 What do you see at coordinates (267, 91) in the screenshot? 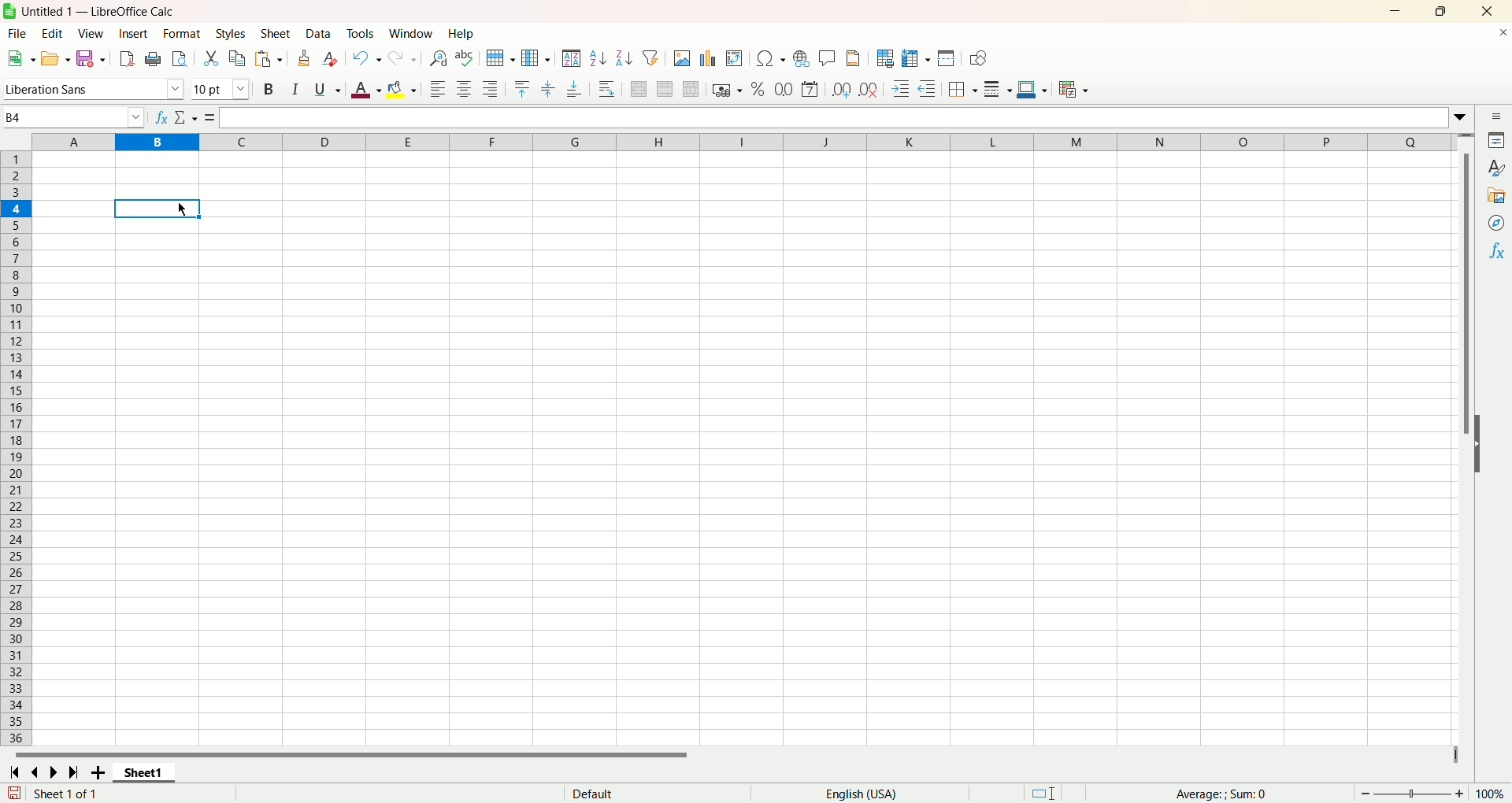
I see `bold` at bounding box center [267, 91].